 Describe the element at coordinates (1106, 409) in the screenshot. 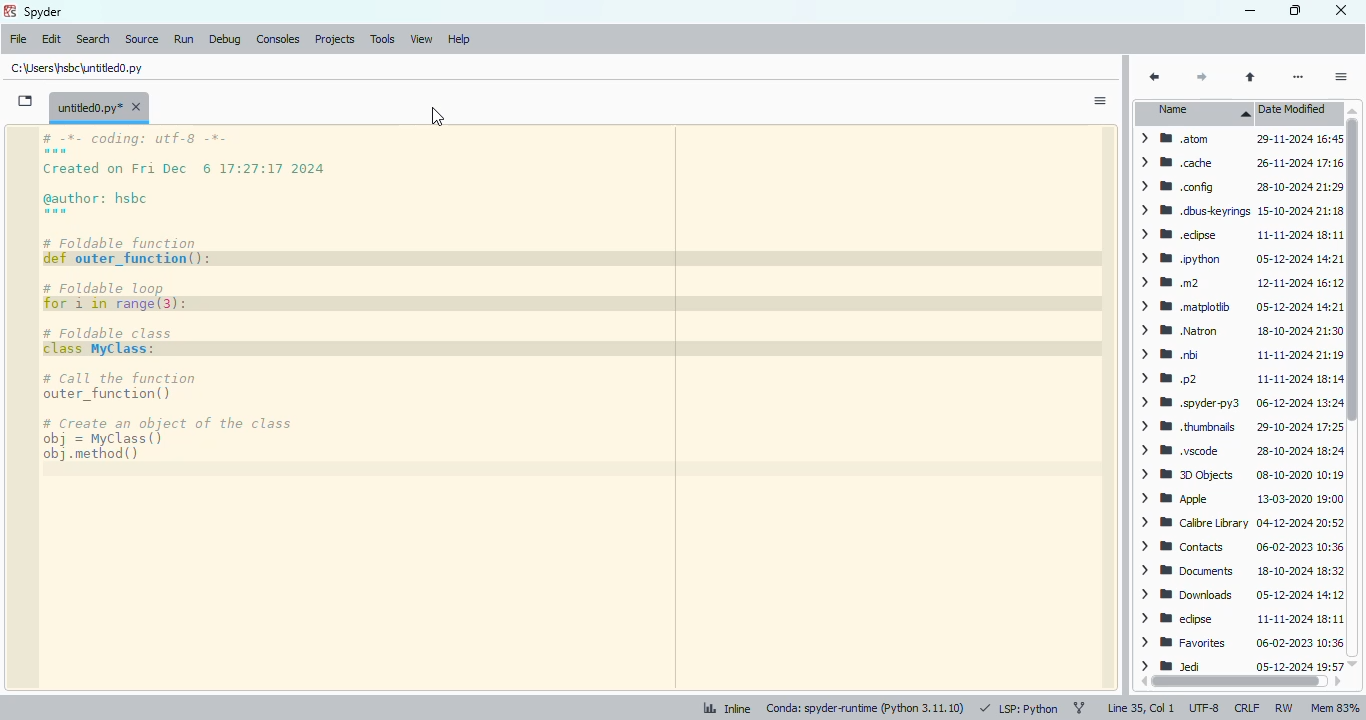

I see `scrollbar` at that location.